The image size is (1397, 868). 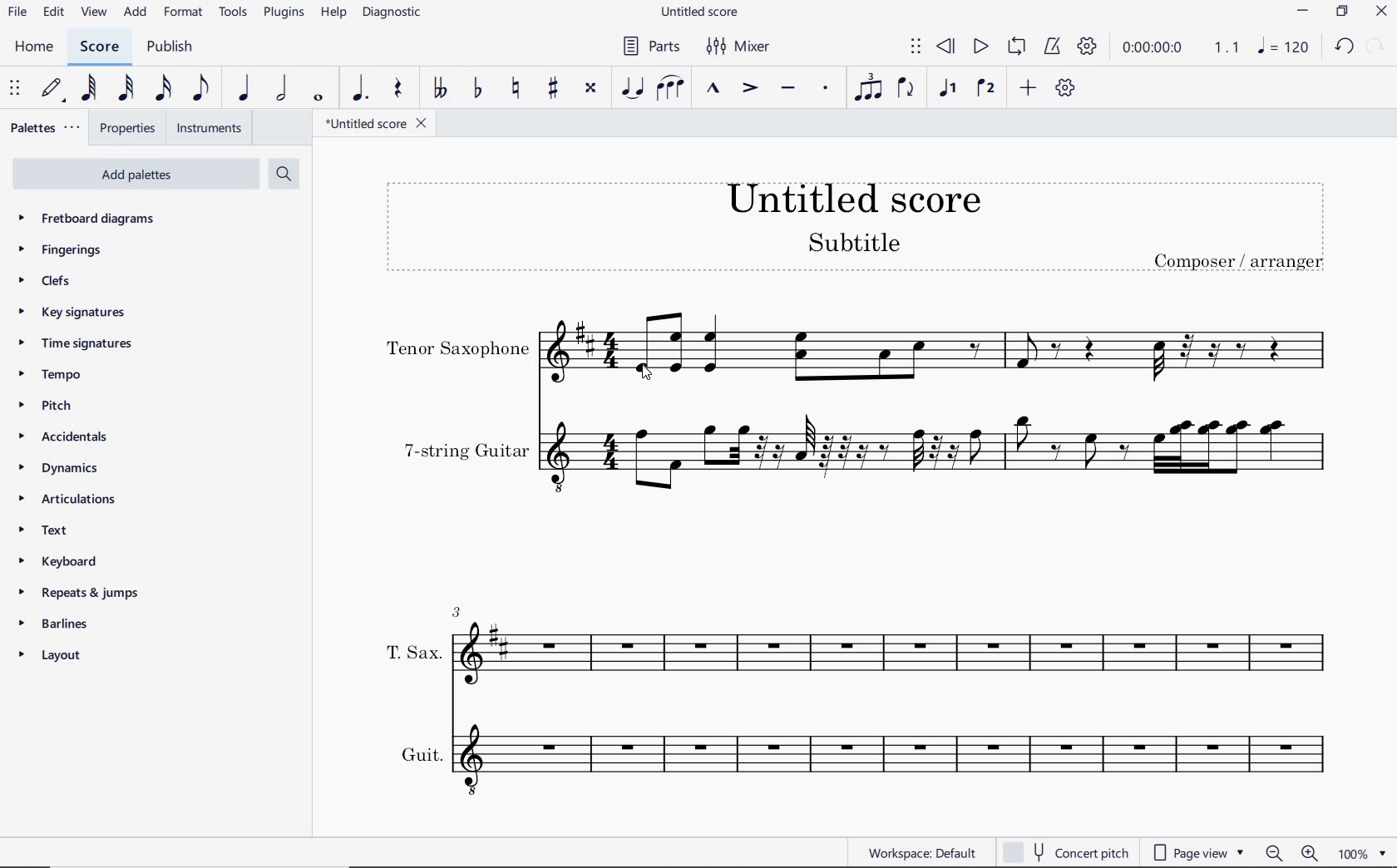 What do you see at coordinates (60, 439) in the screenshot?
I see `ACCIDENTALS` at bounding box center [60, 439].